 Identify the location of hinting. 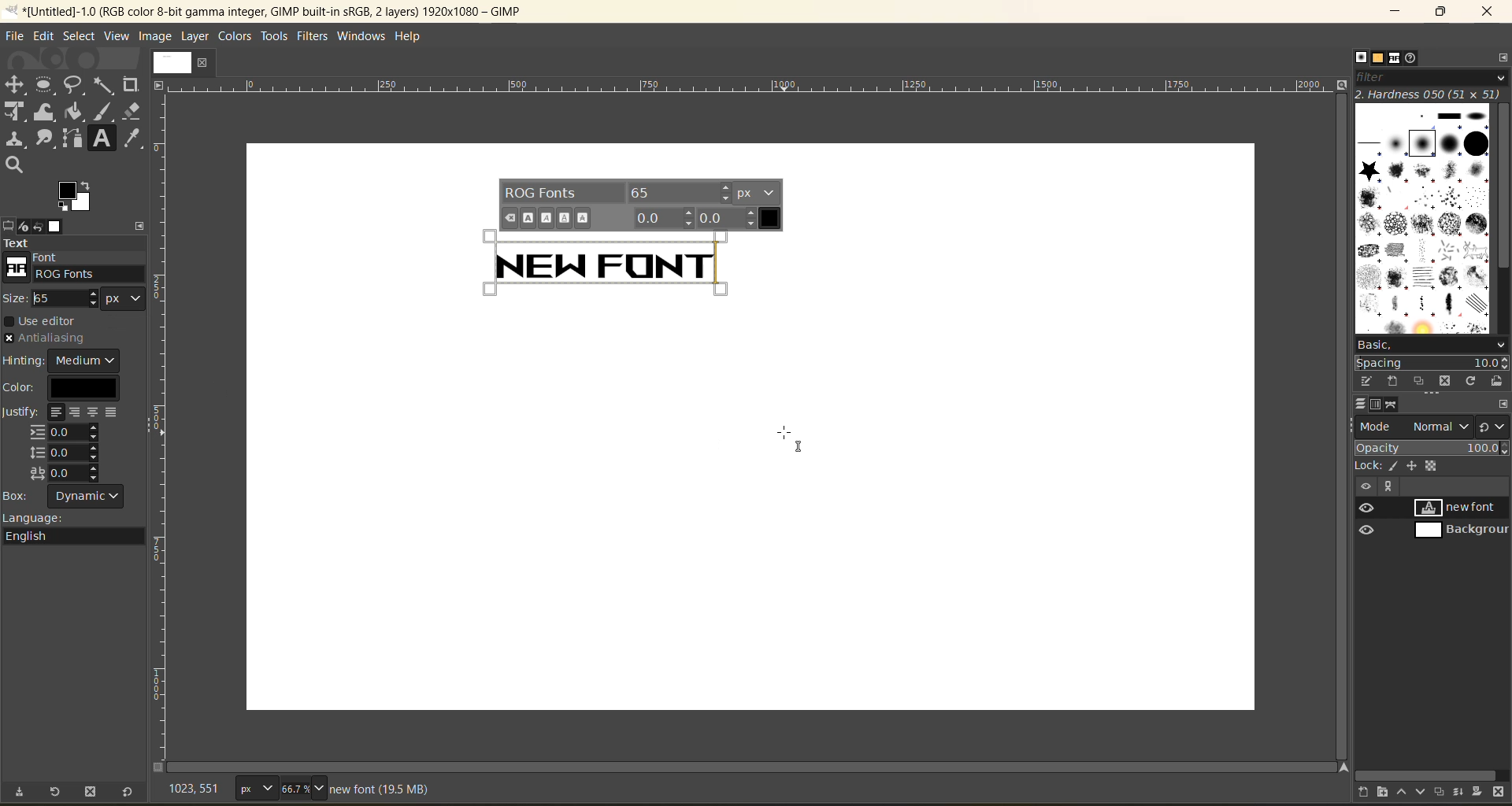
(65, 361).